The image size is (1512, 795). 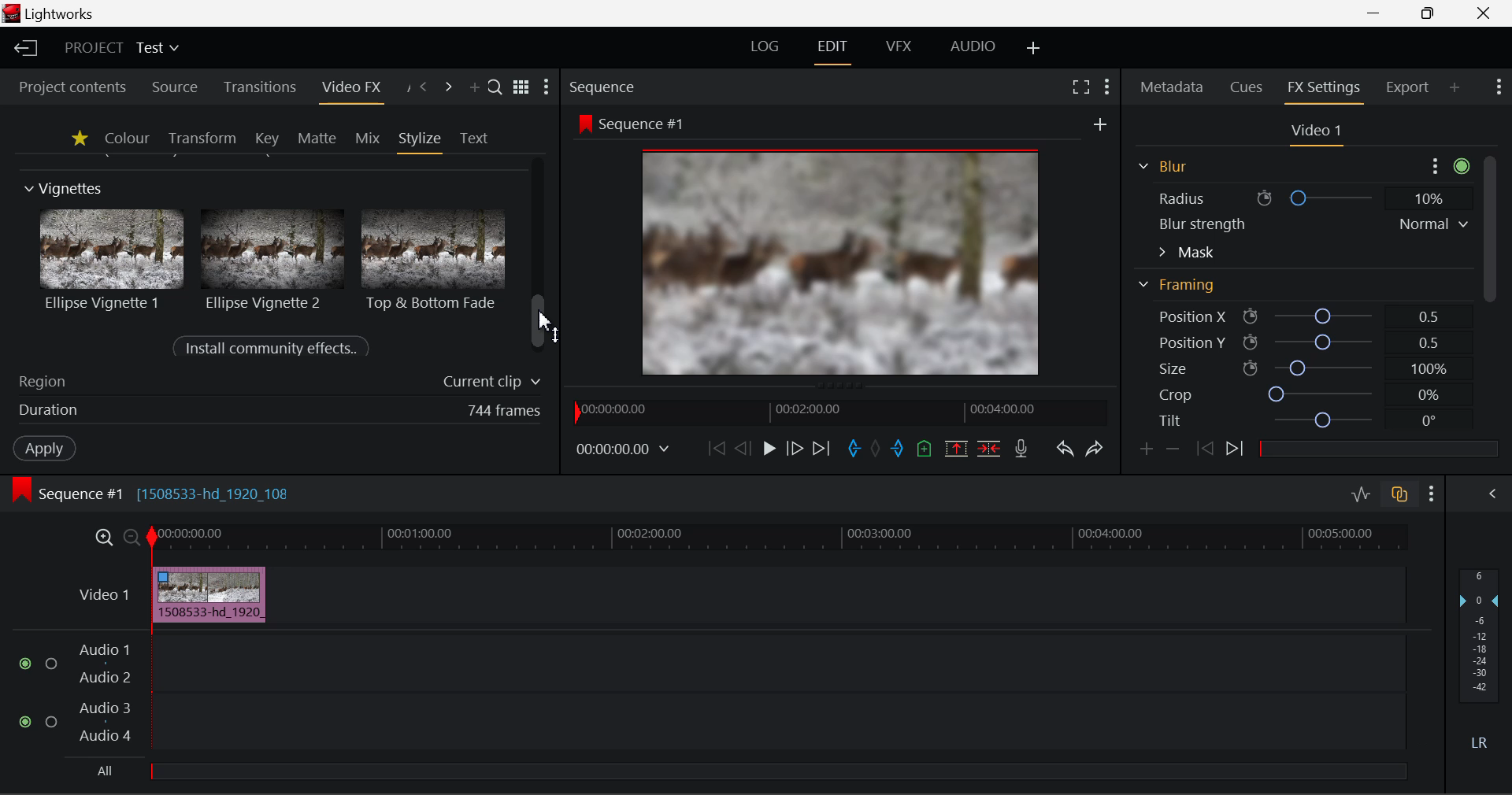 What do you see at coordinates (958, 447) in the screenshot?
I see `Remove Marked Section` at bounding box center [958, 447].